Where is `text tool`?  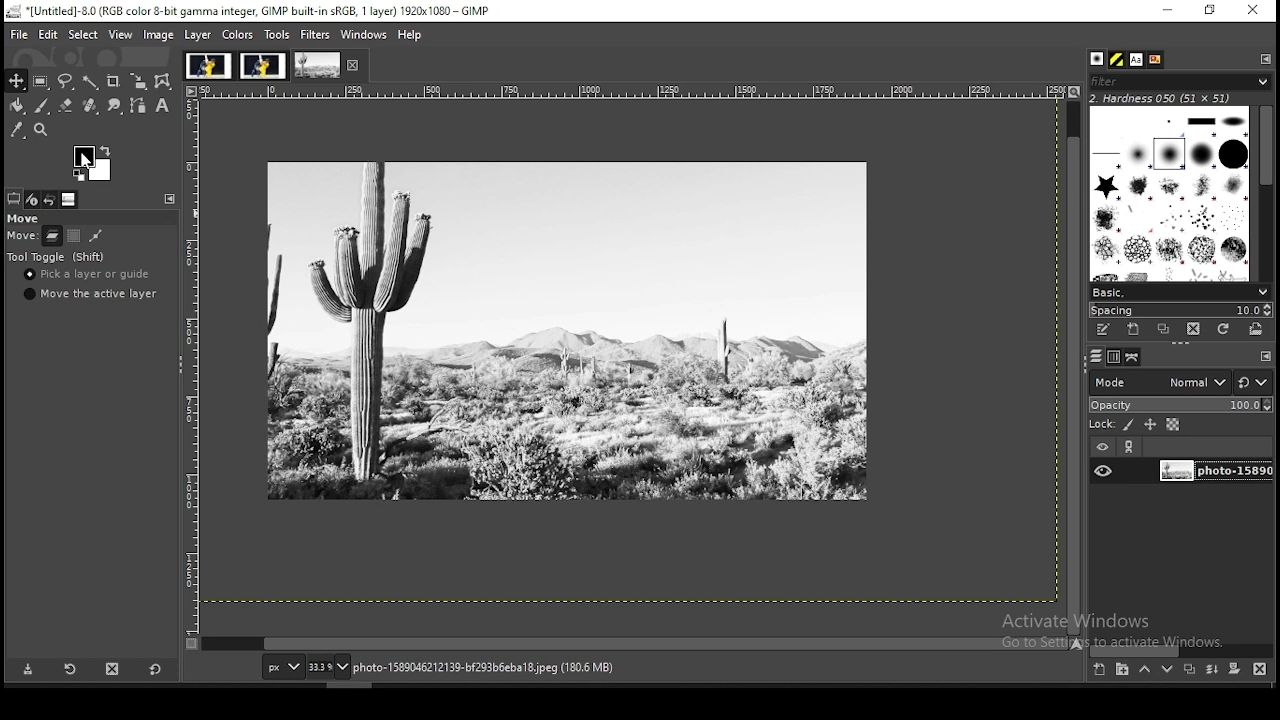
text tool is located at coordinates (164, 106).